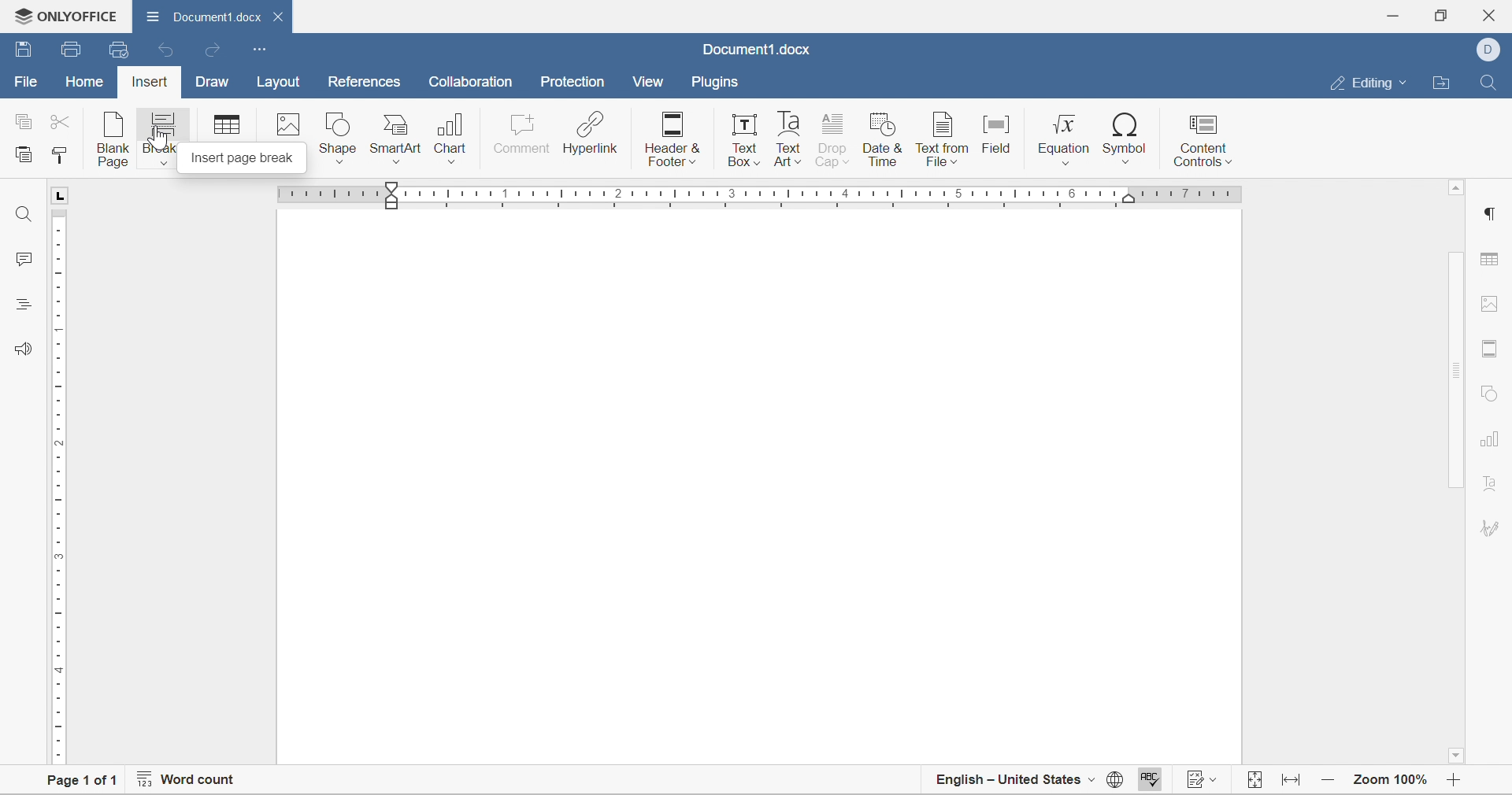 The height and width of the screenshot is (795, 1512). What do you see at coordinates (25, 157) in the screenshot?
I see `Paste` at bounding box center [25, 157].